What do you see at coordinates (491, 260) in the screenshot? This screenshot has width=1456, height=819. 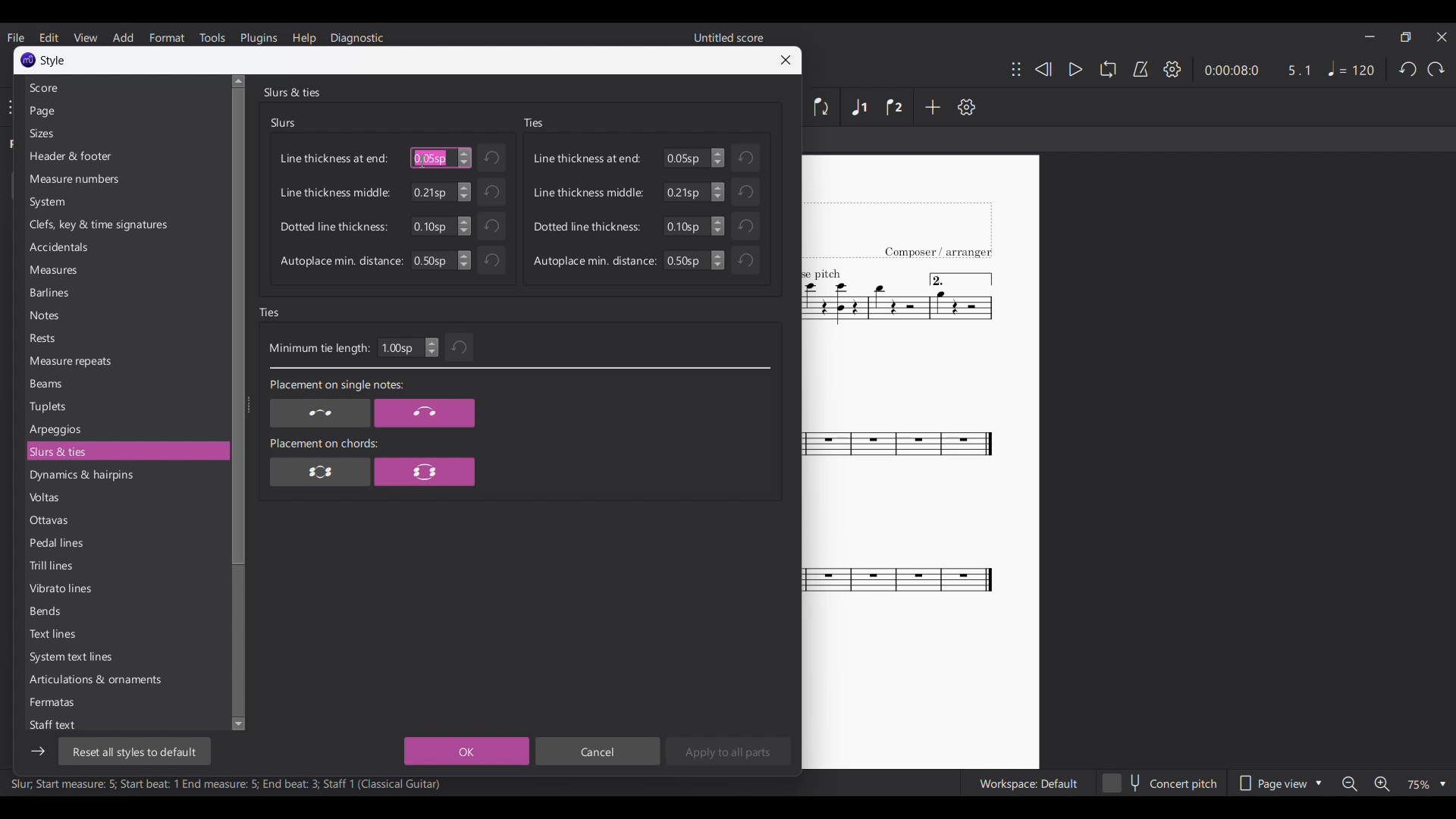 I see `Undo` at bounding box center [491, 260].